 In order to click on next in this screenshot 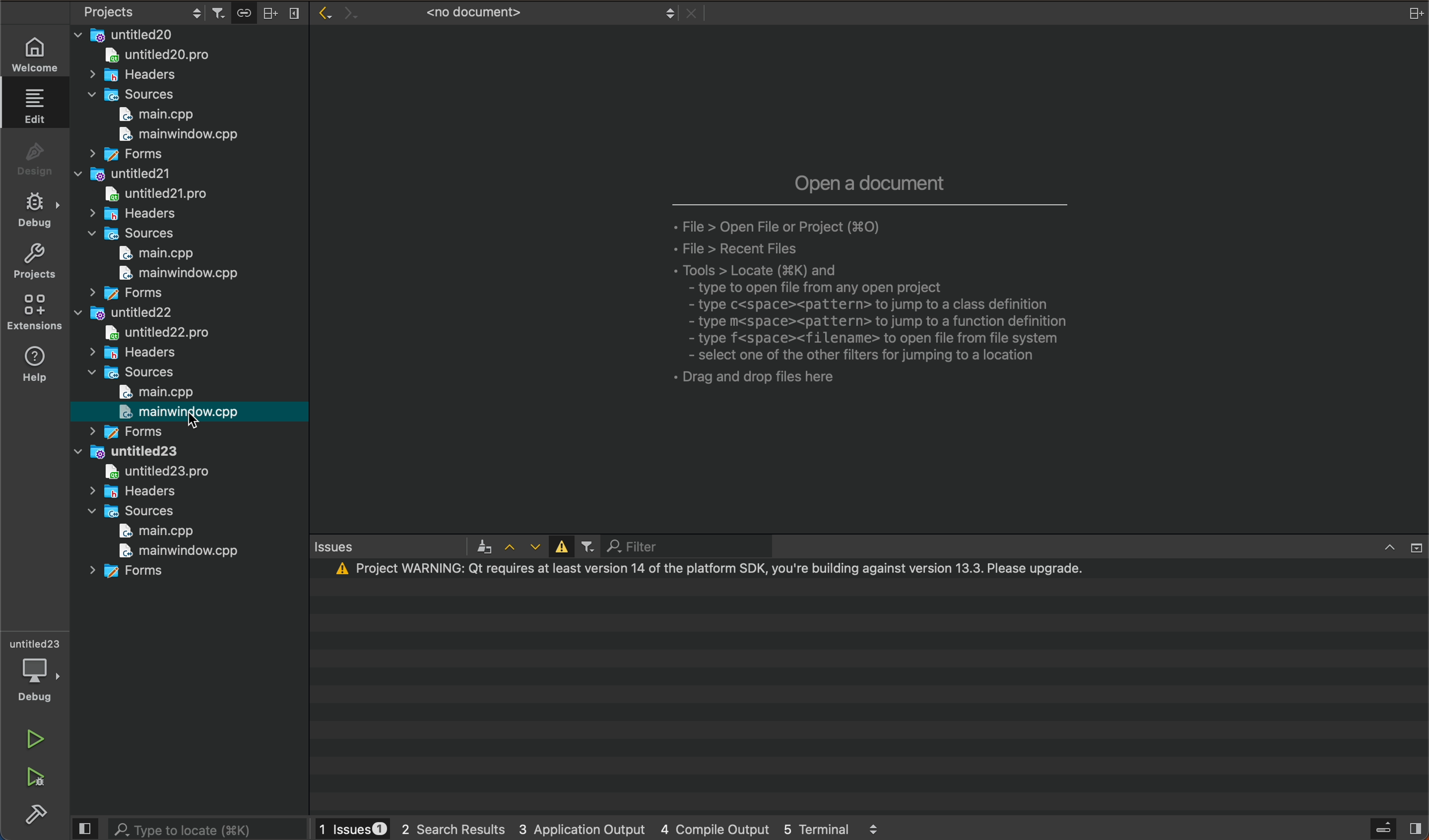, I will do `click(347, 9)`.